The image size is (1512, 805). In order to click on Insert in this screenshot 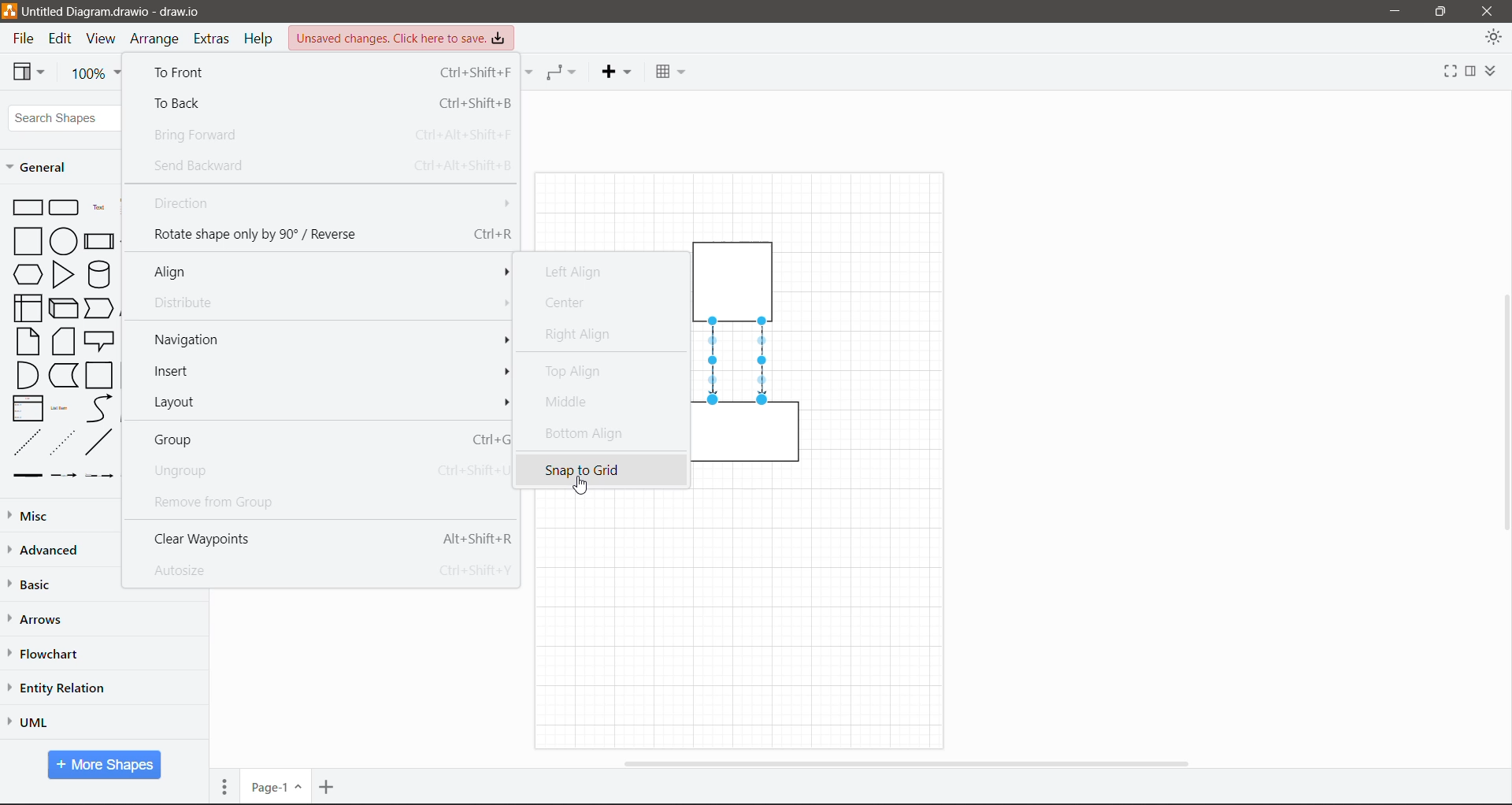, I will do `click(329, 372)`.